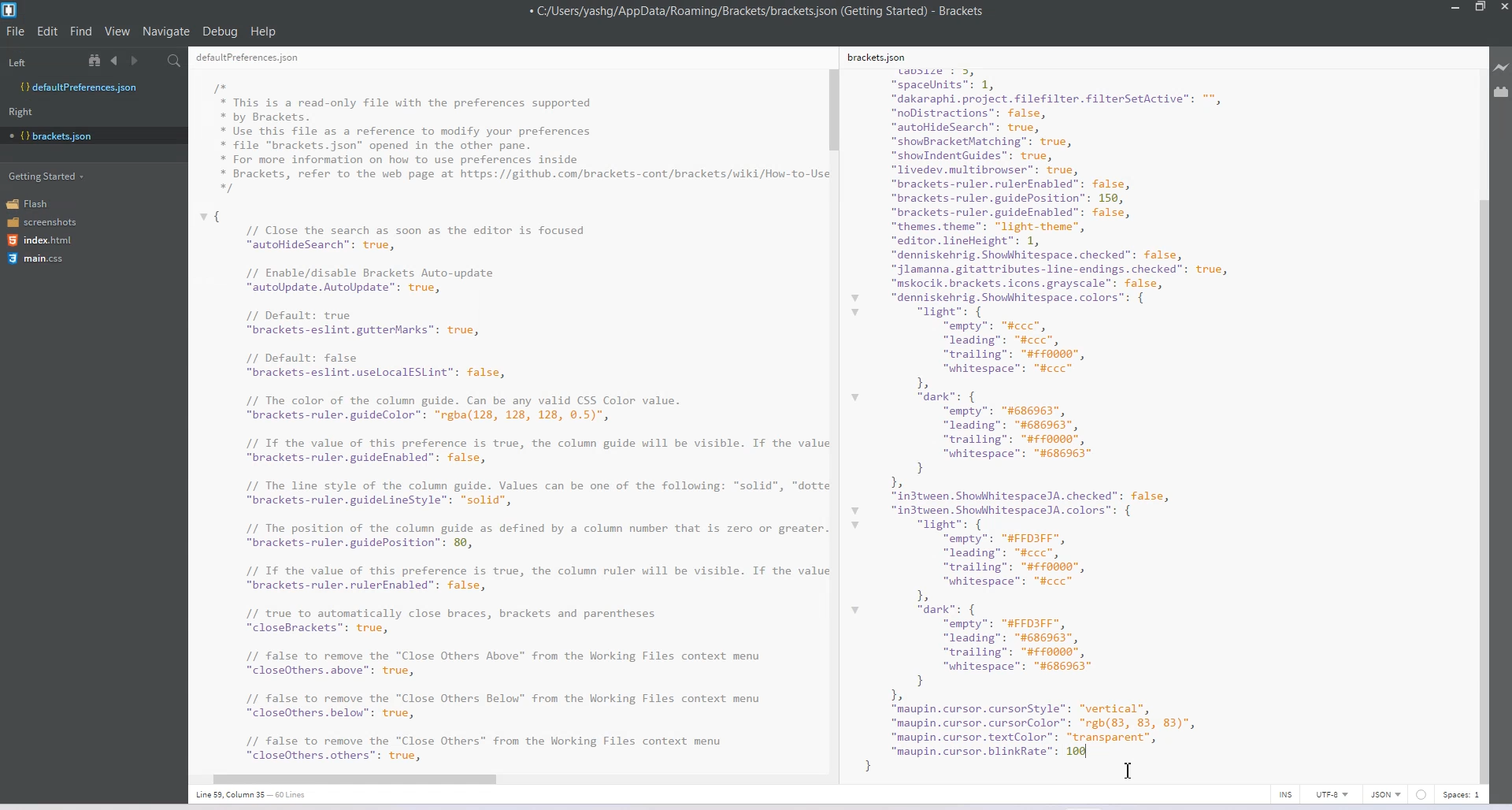 The height and width of the screenshot is (810, 1512). I want to click on View, so click(118, 31).